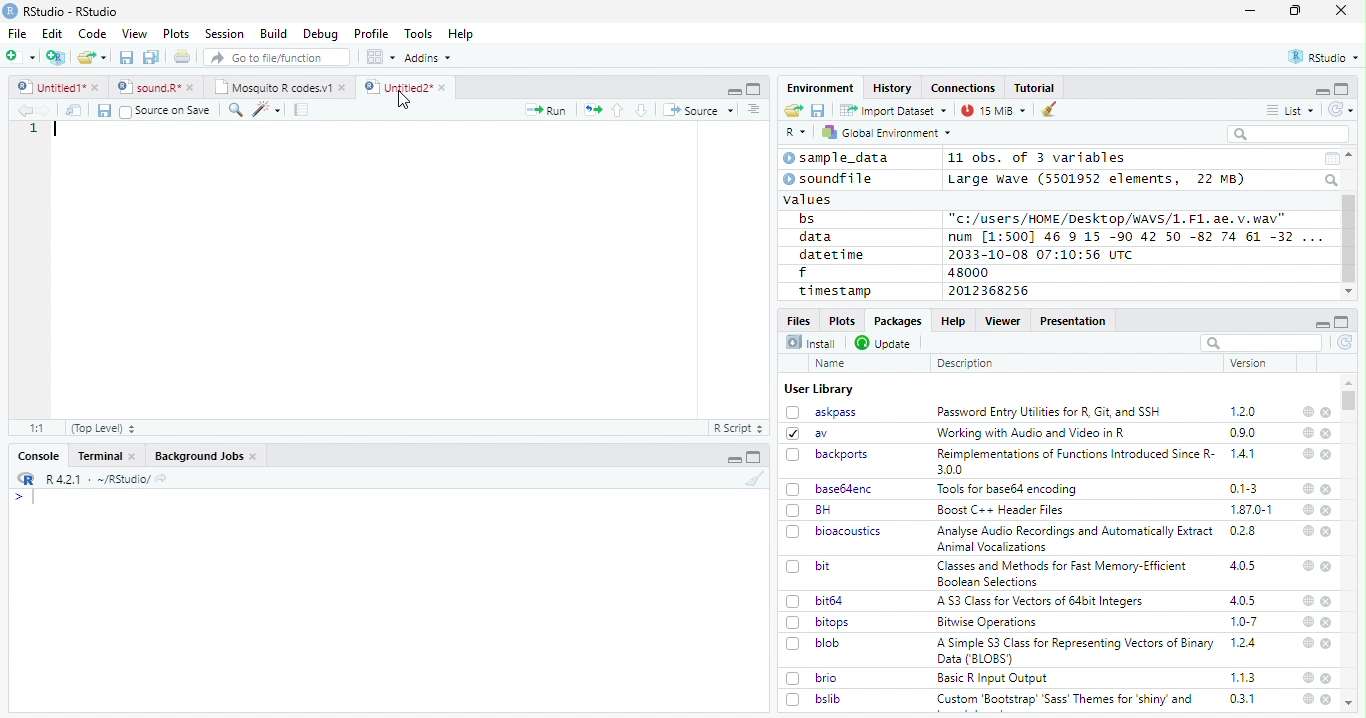  I want to click on Help, so click(952, 320).